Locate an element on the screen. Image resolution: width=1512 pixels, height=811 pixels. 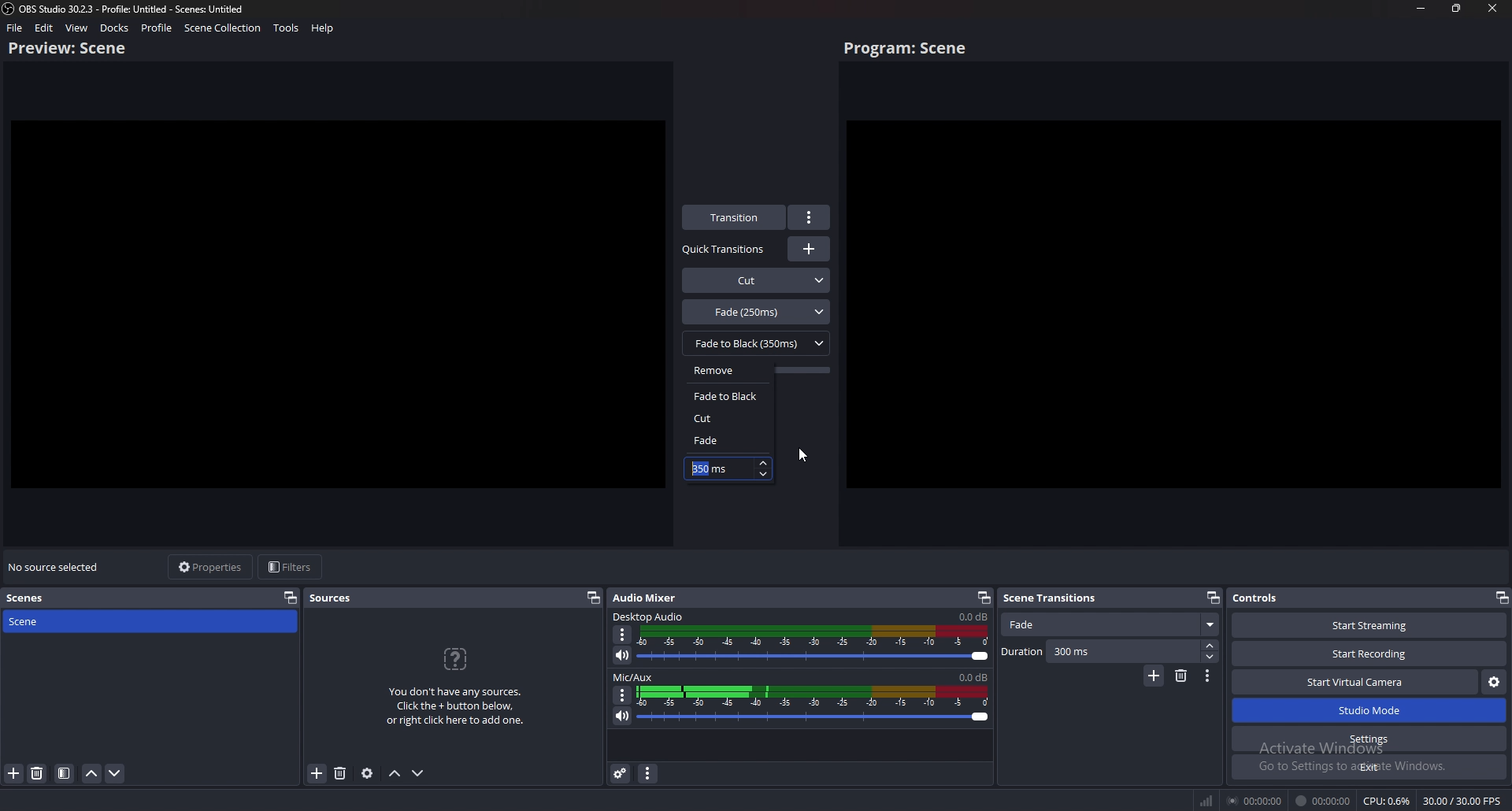
Options is located at coordinates (1208, 677).